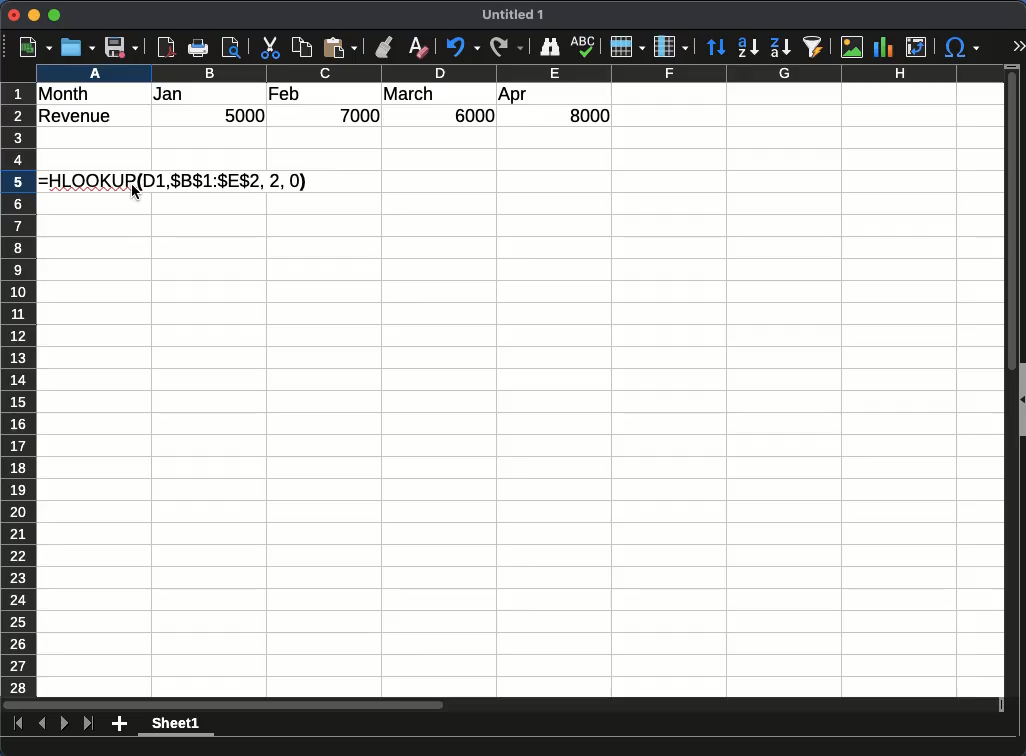 The height and width of the screenshot is (756, 1026). Describe the element at coordinates (78, 47) in the screenshot. I see `open` at that location.